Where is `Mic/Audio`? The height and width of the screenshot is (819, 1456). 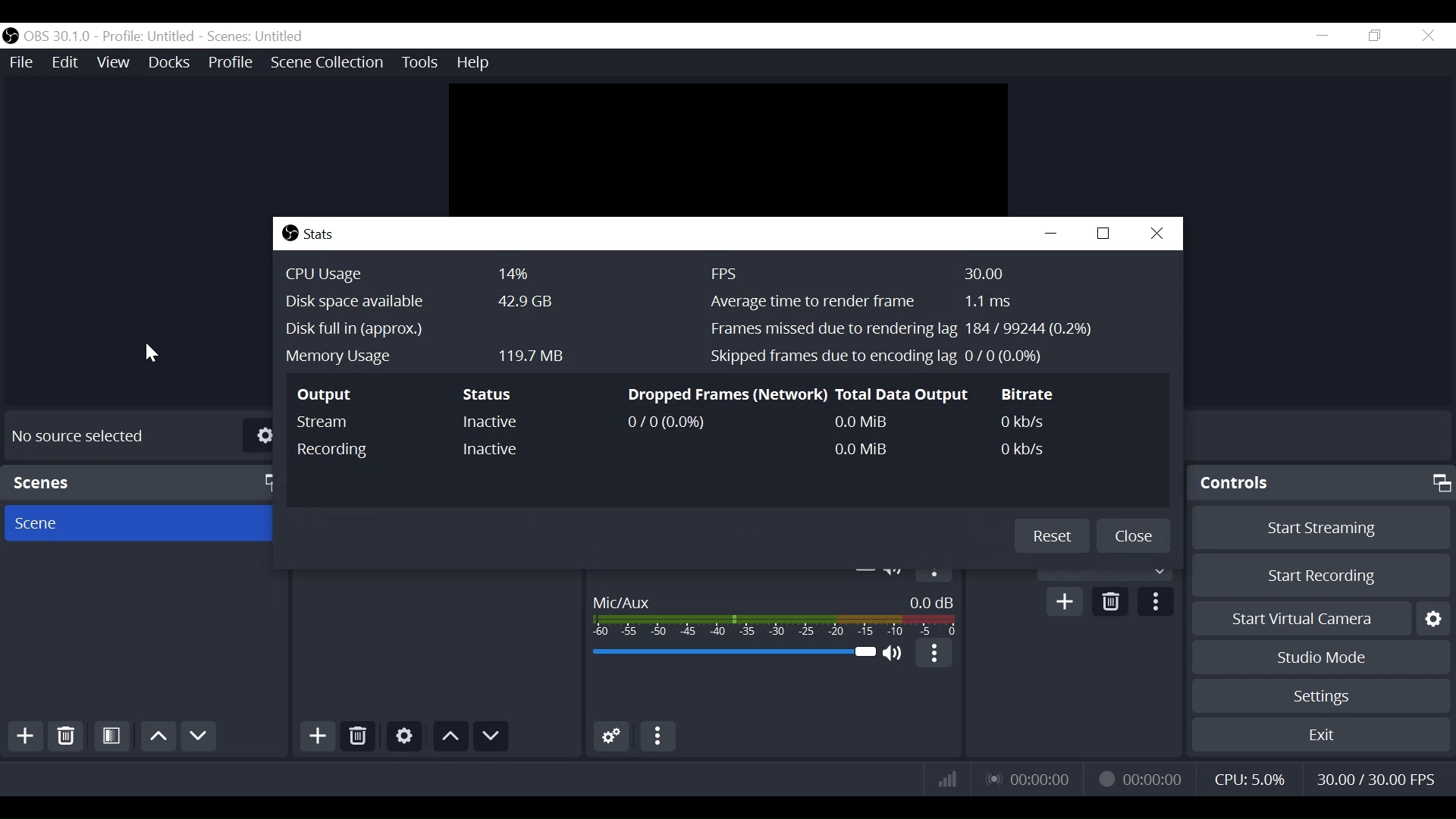 Mic/Audio is located at coordinates (735, 654).